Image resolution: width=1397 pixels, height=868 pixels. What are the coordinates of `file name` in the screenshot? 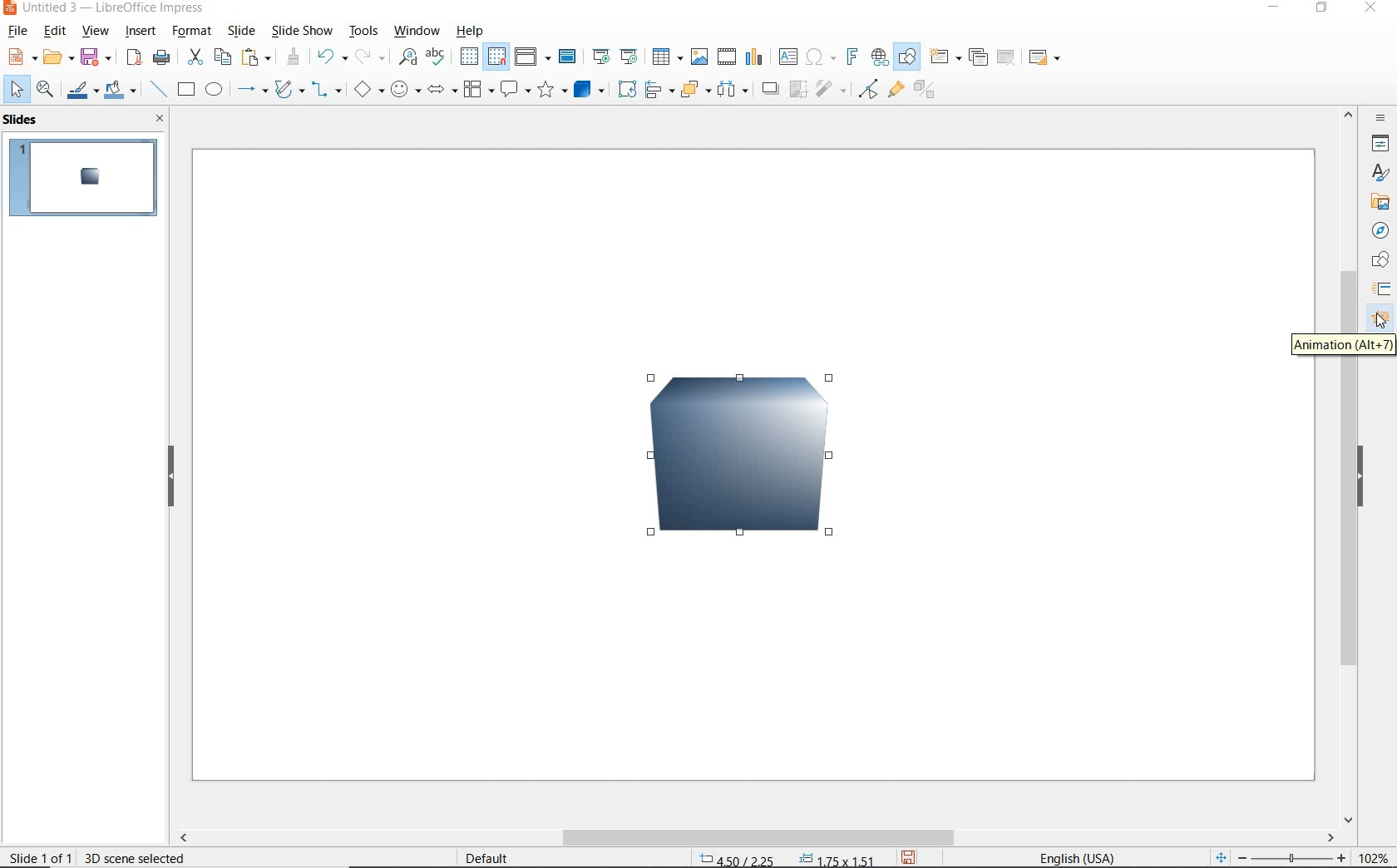 It's located at (106, 9).